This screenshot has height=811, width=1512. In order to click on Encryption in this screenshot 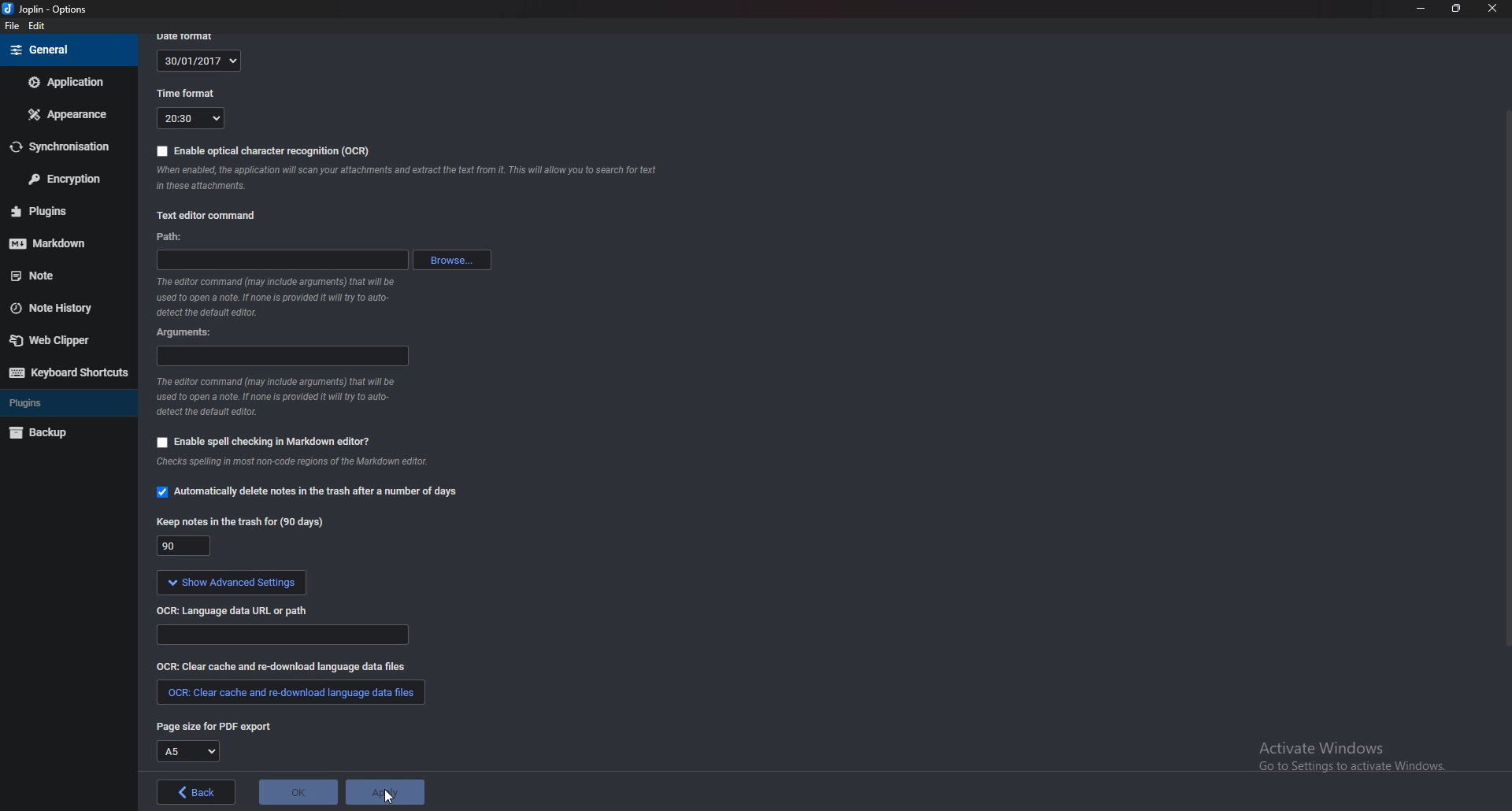, I will do `click(61, 180)`.